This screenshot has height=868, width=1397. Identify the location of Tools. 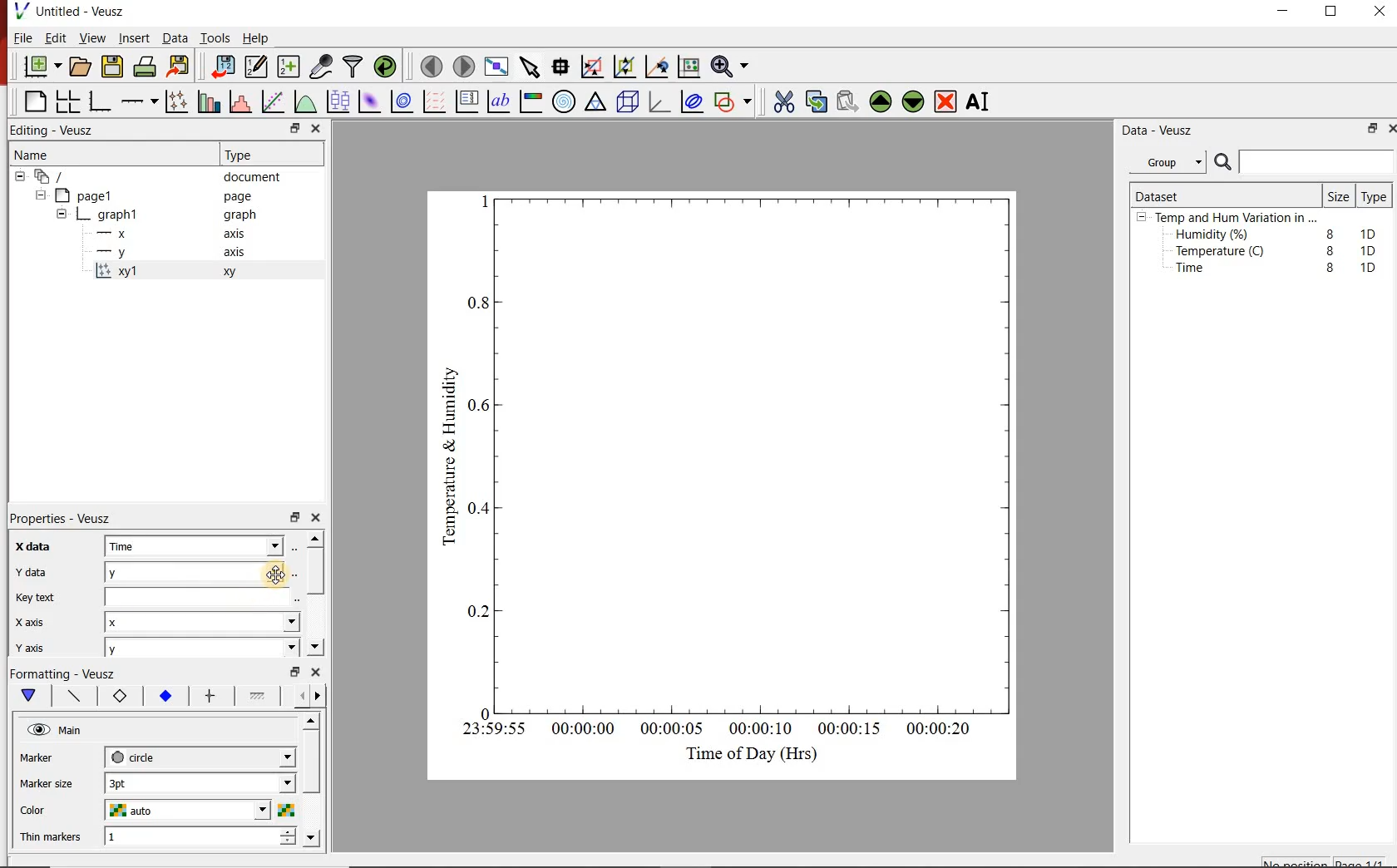
(214, 38).